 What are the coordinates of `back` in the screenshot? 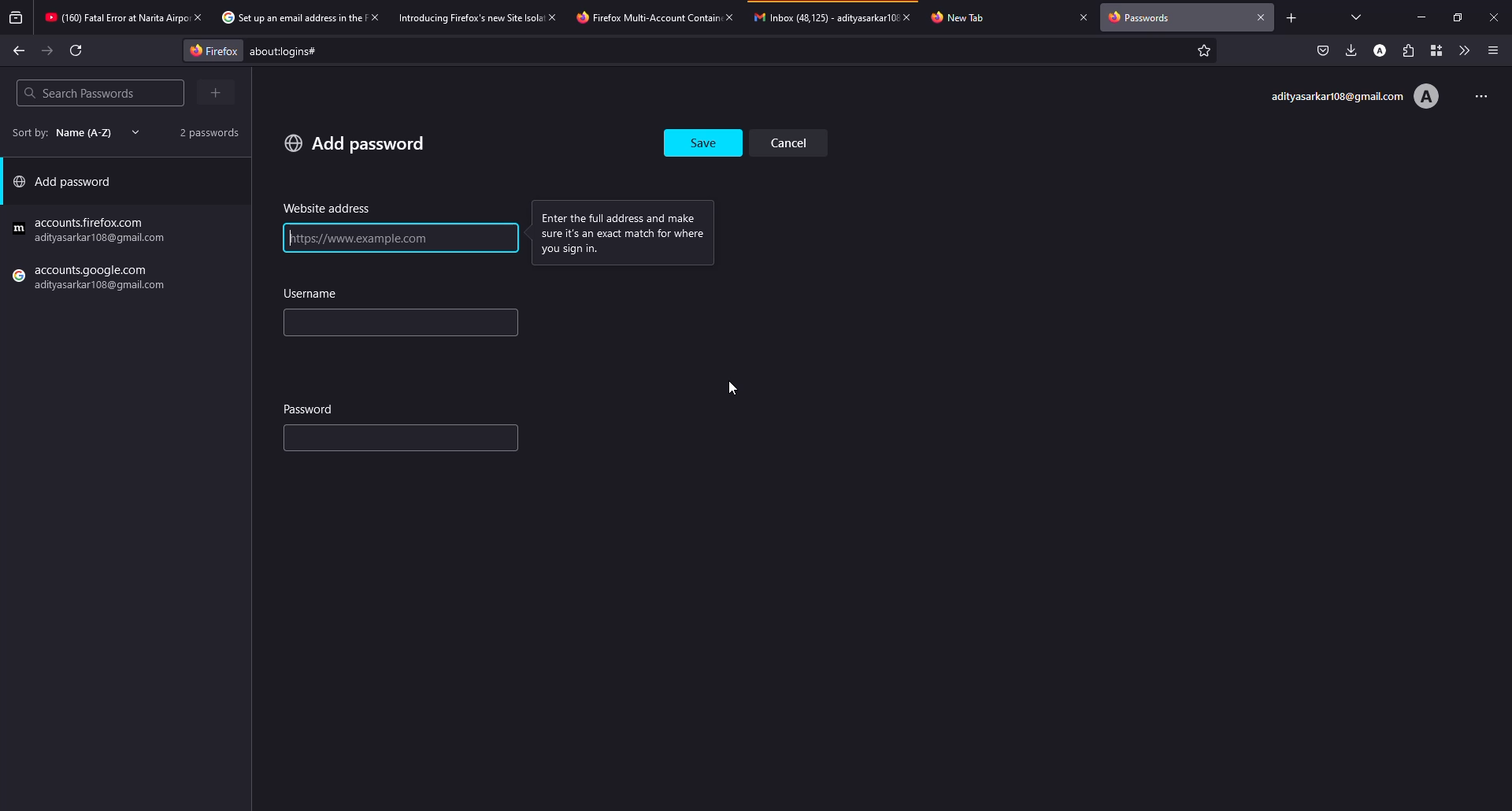 It's located at (19, 50).